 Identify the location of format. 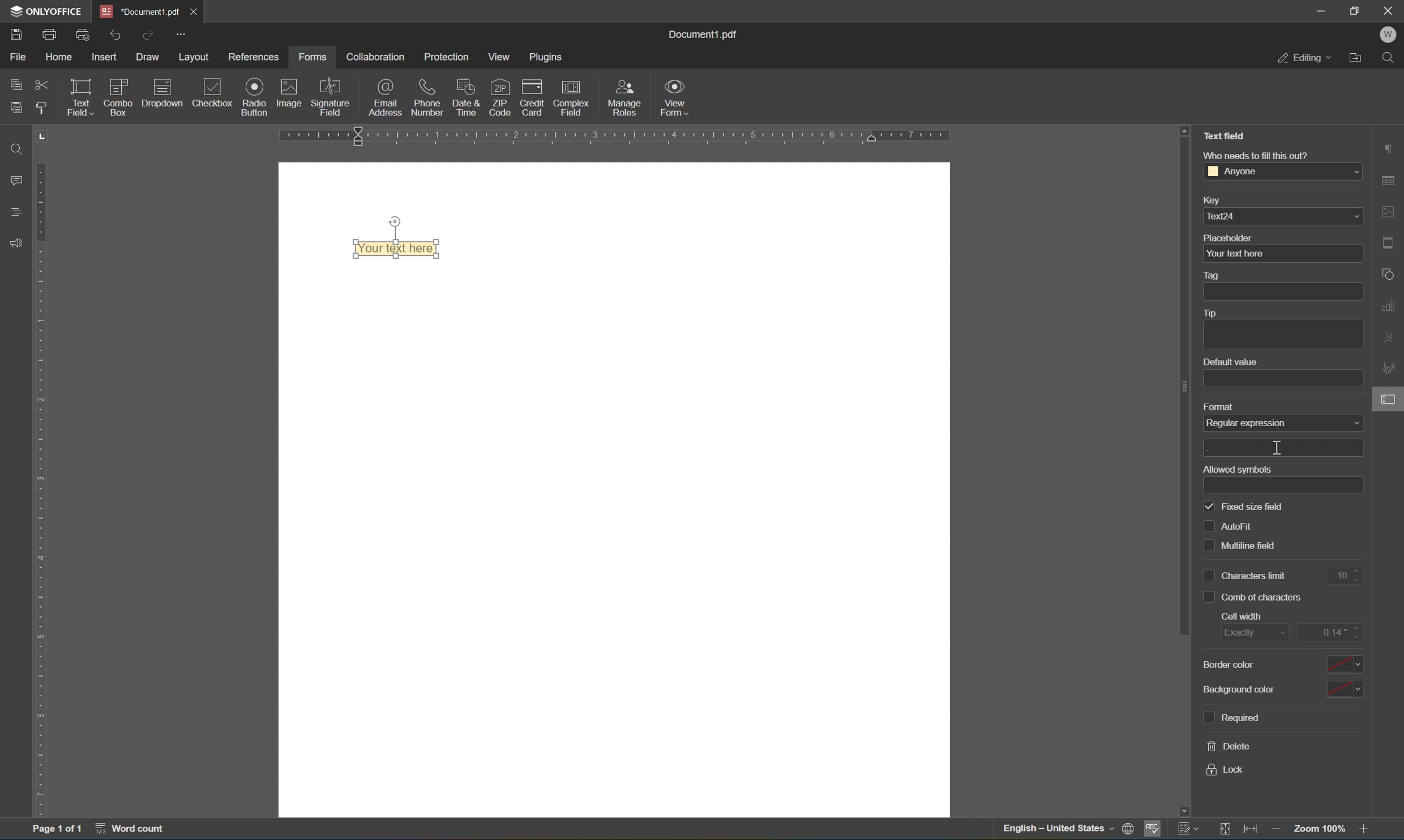
(1219, 408).